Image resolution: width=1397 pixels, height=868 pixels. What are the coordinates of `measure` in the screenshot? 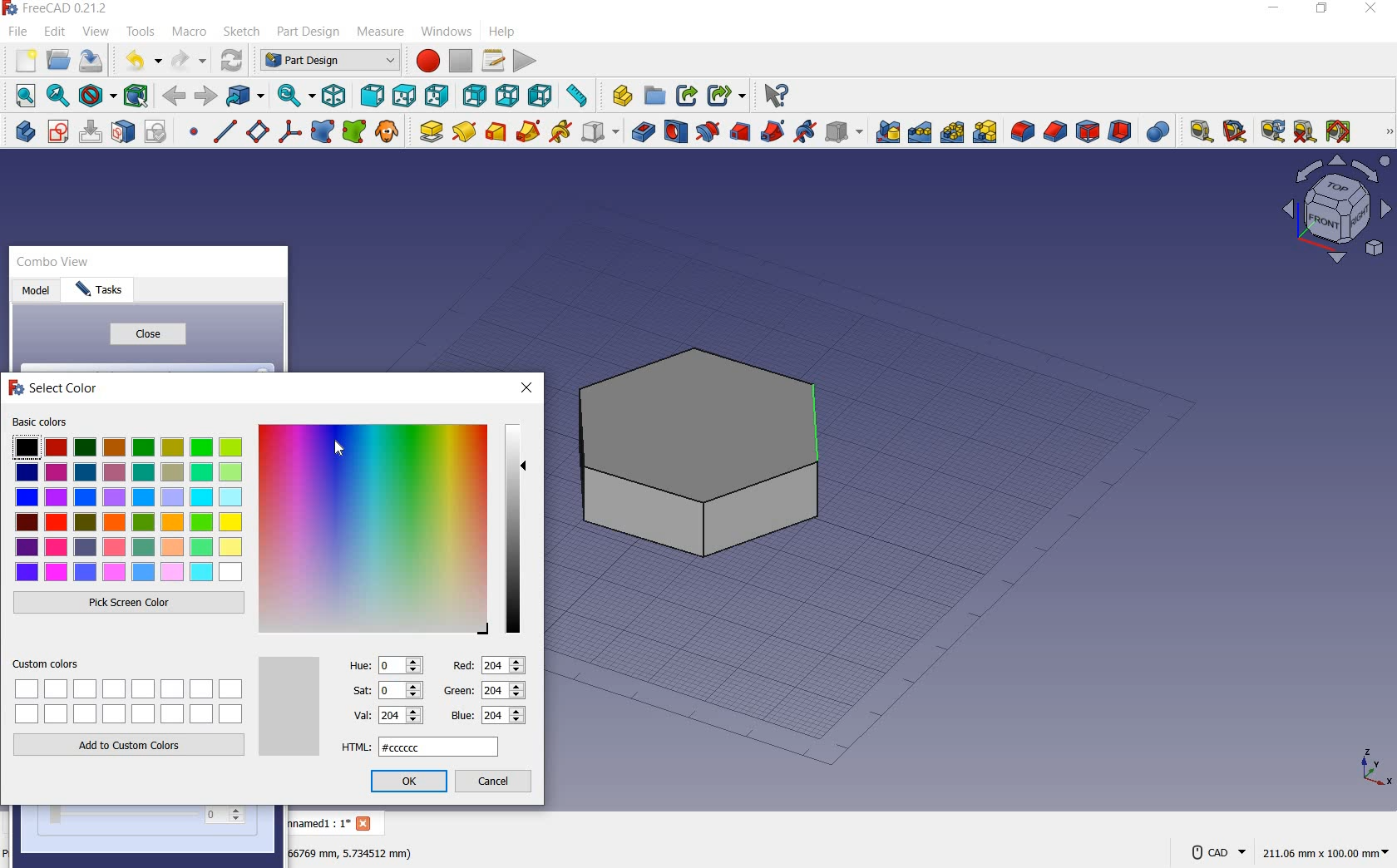 It's located at (382, 31).